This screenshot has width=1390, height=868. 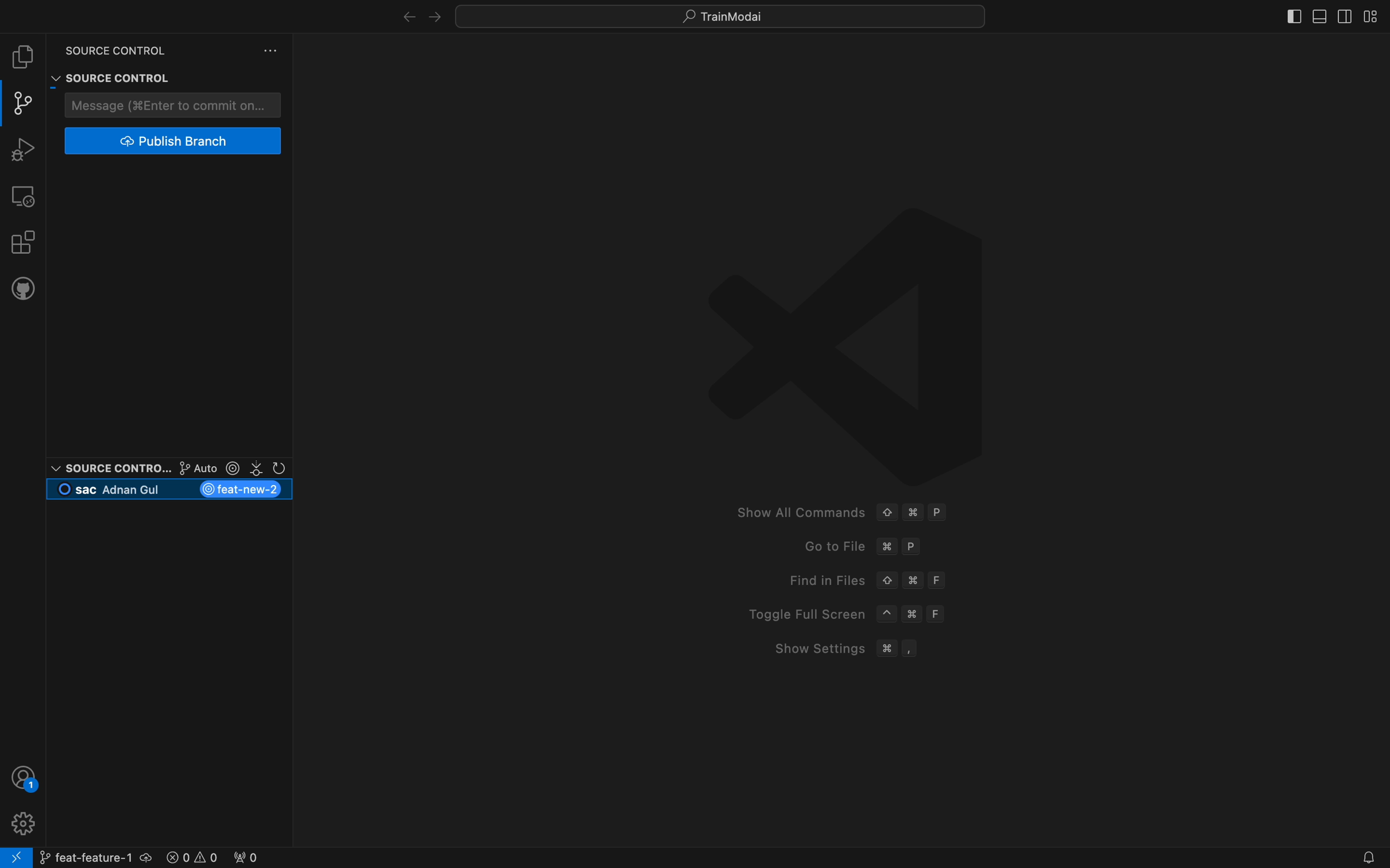 I want to click on arrows, so click(x=416, y=15).